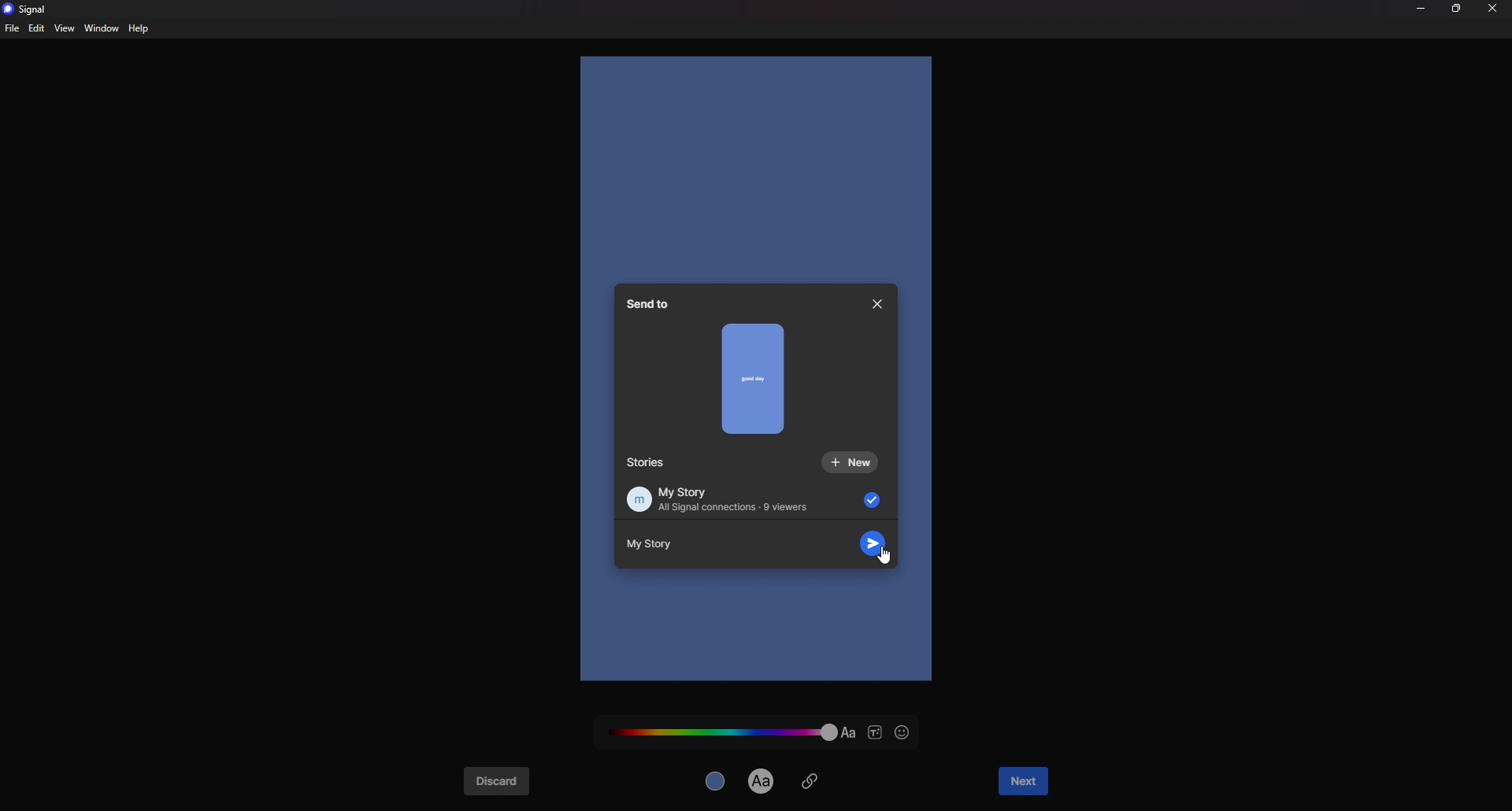 The width and height of the screenshot is (1512, 811). I want to click on text, so click(762, 780).